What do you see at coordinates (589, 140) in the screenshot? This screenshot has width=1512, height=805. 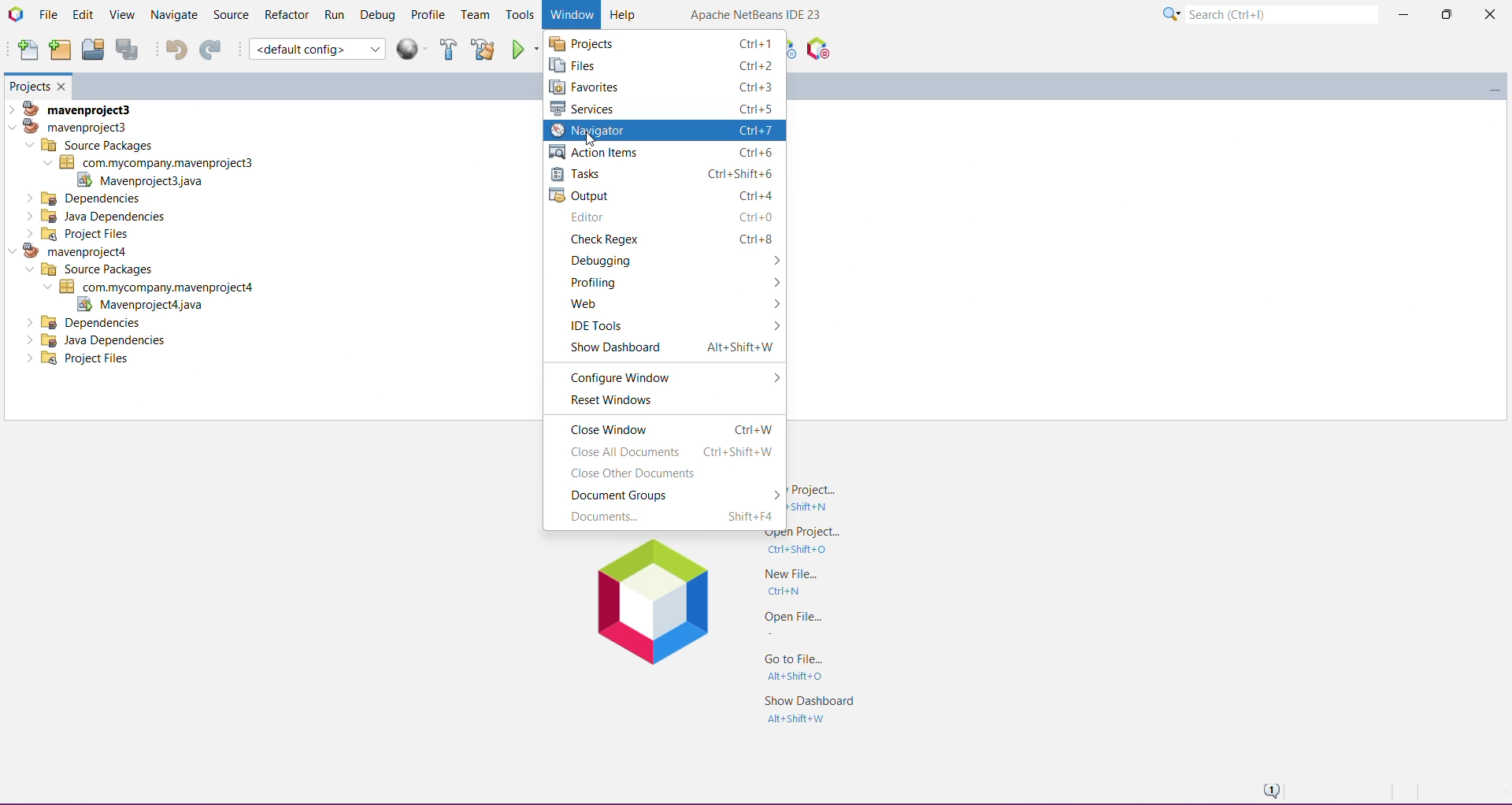 I see `cursor` at bounding box center [589, 140].